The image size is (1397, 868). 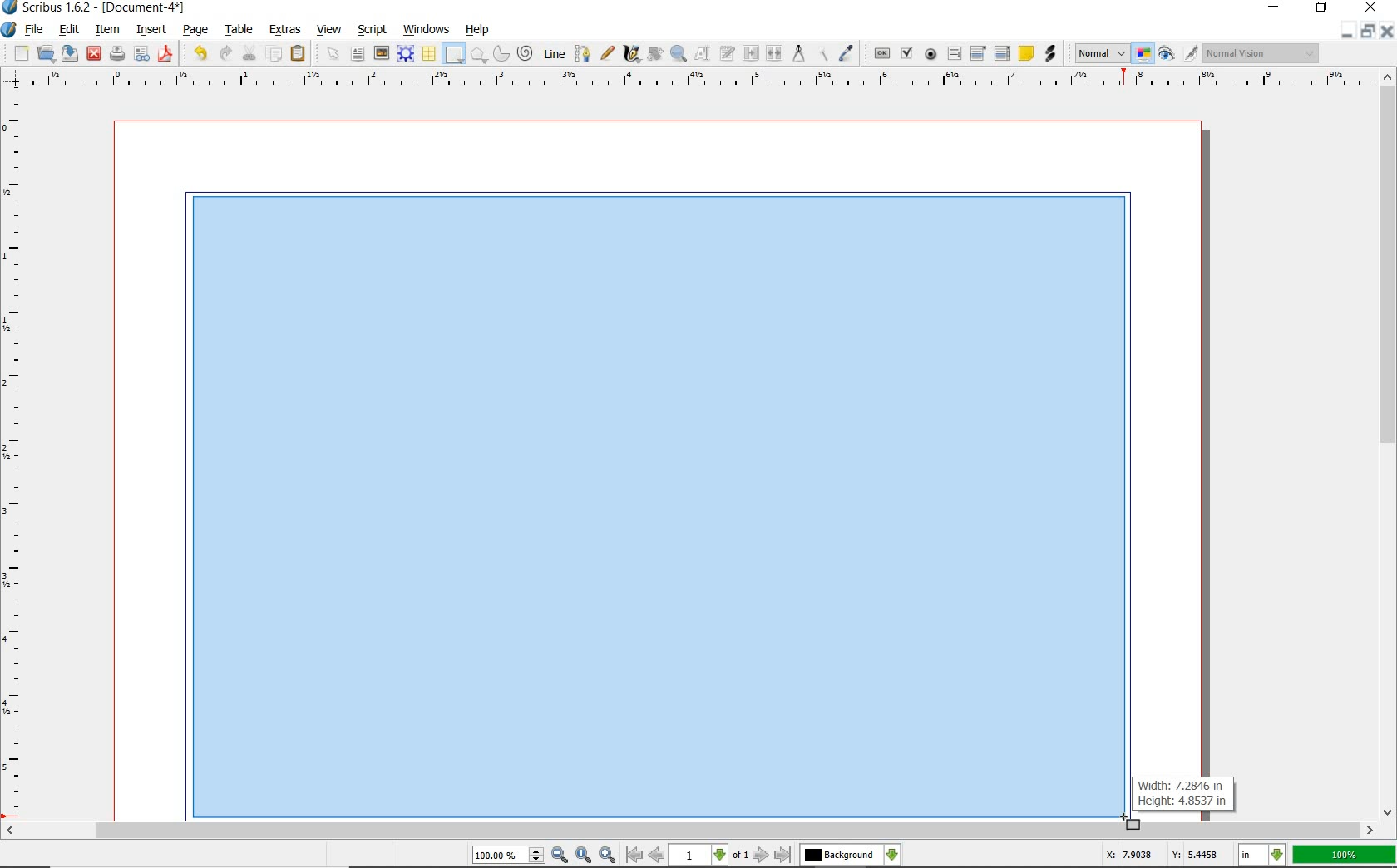 What do you see at coordinates (526, 53) in the screenshot?
I see `spiral` at bounding box center [526, 53].